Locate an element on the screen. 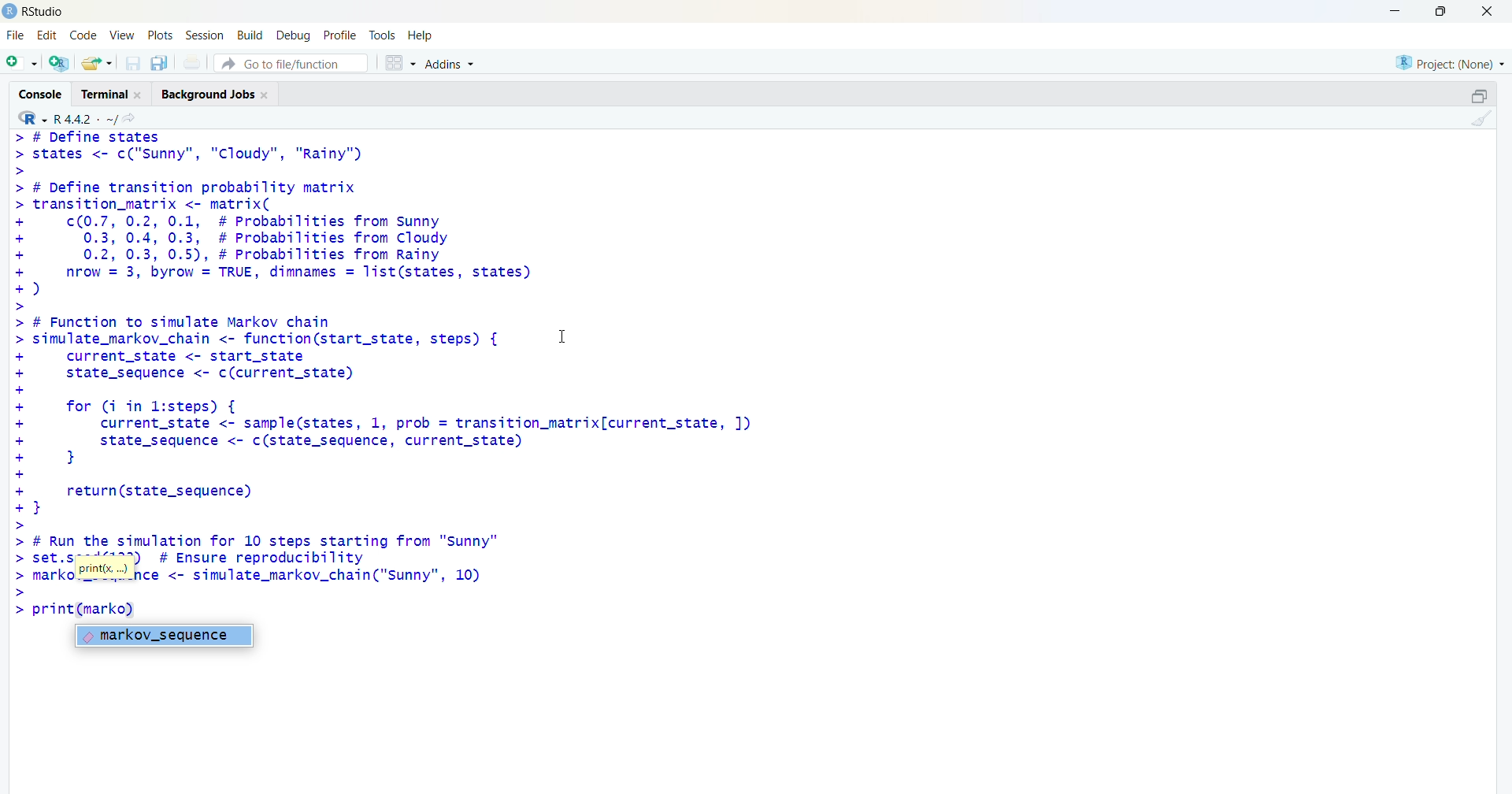  save all open document is located at coordinates (158, 64).